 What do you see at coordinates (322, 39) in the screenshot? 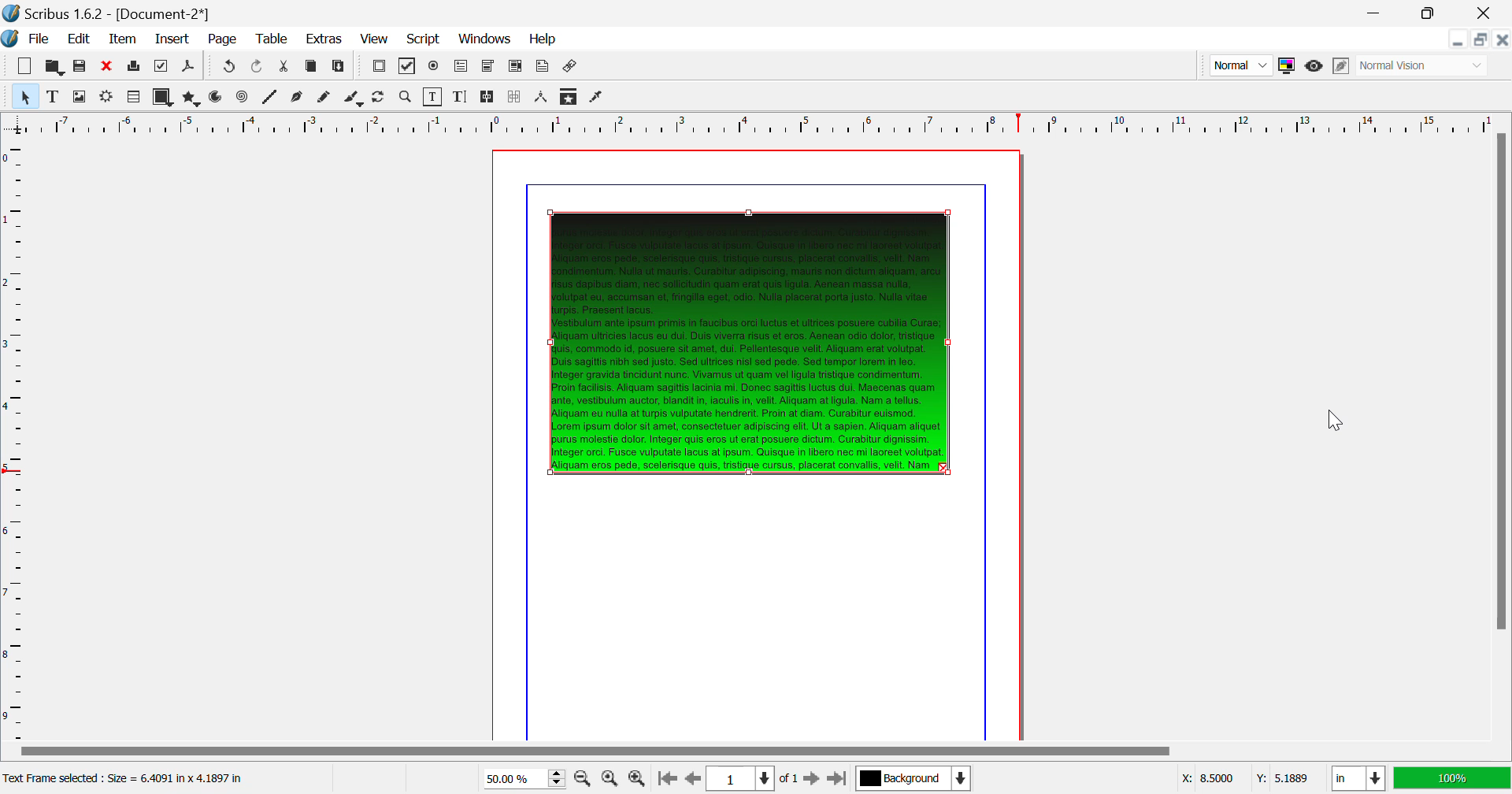
I see `Extras` at bounding box center [322, 39].